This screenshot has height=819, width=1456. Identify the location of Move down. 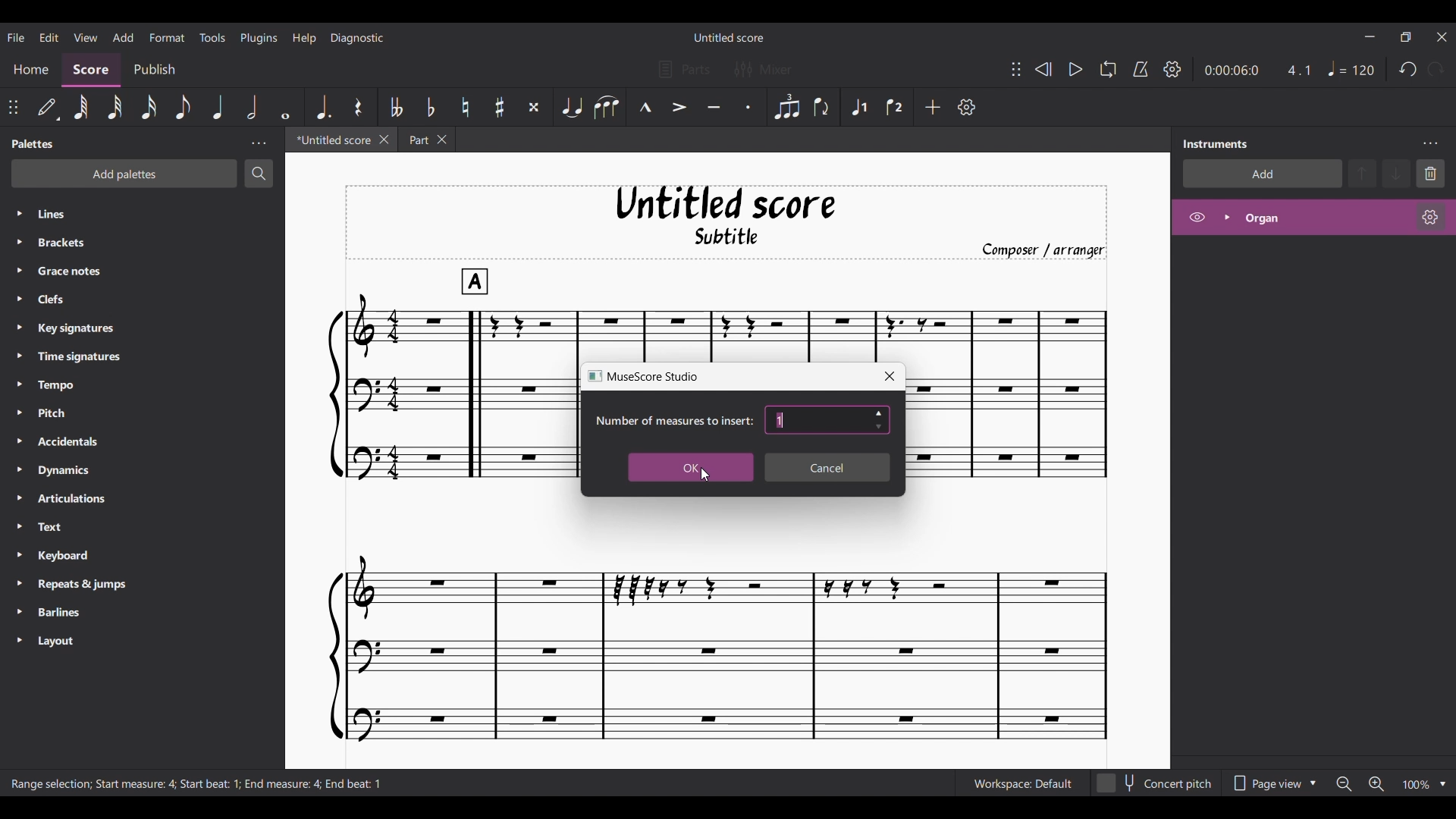
(1396, 173).